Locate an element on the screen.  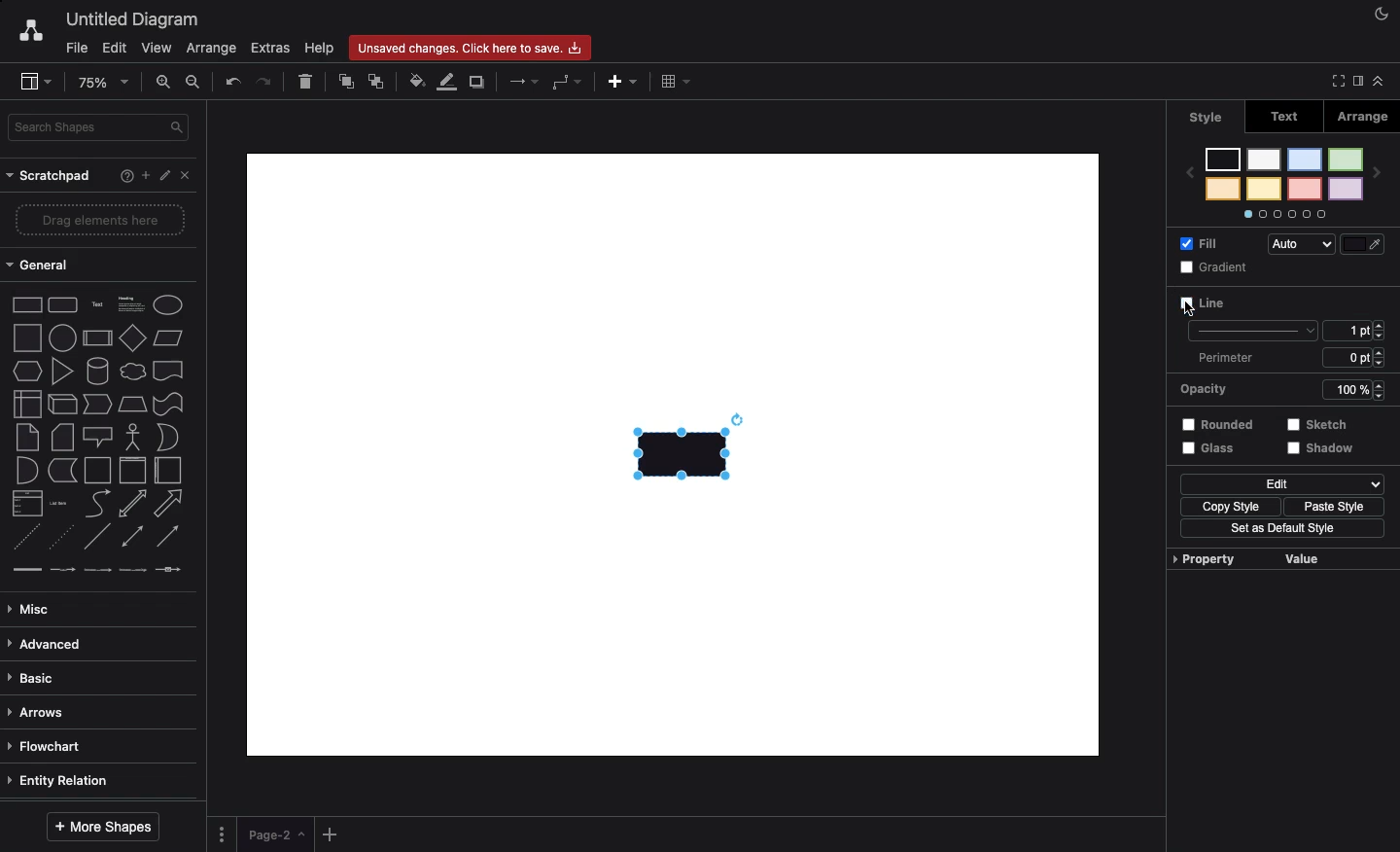
step is located at coordinates (92, 404).